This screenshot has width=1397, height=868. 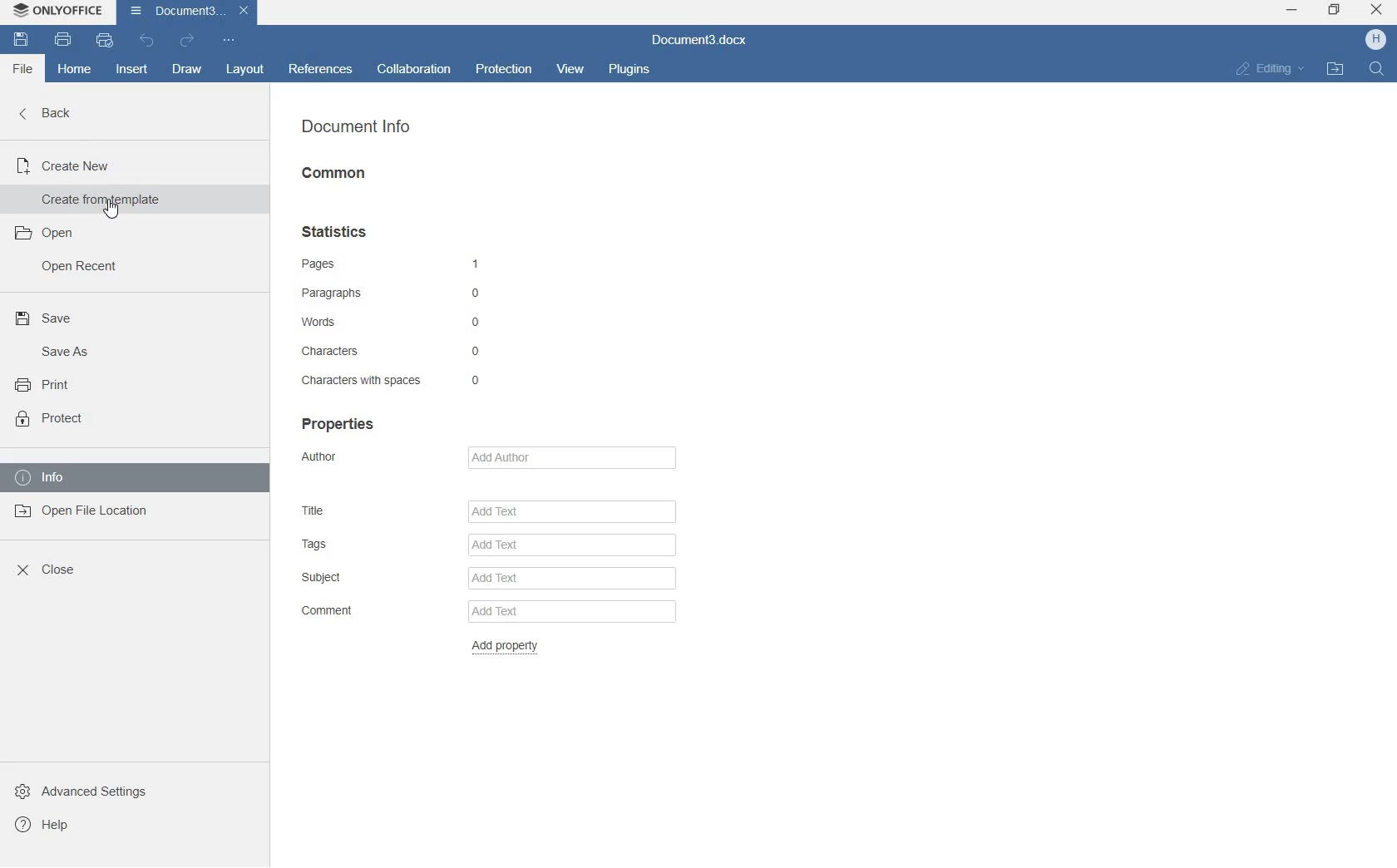 What do you see at coordinates (1336, 11) in the screenshot?
I see `restore` at bounding box center [1336, 11].